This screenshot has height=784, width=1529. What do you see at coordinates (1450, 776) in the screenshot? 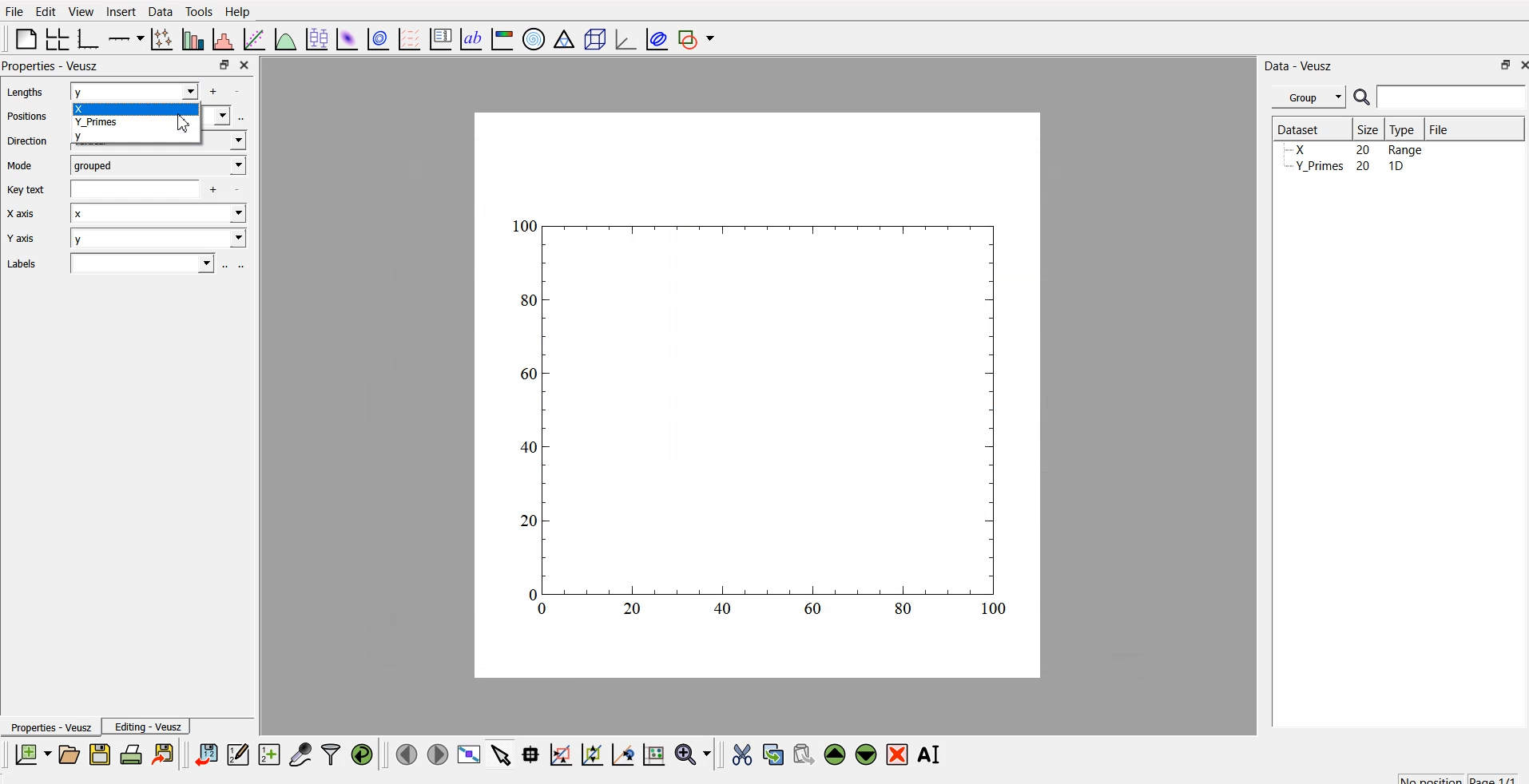
I see `no position page 1/1` at bounding box center [1450, 776].